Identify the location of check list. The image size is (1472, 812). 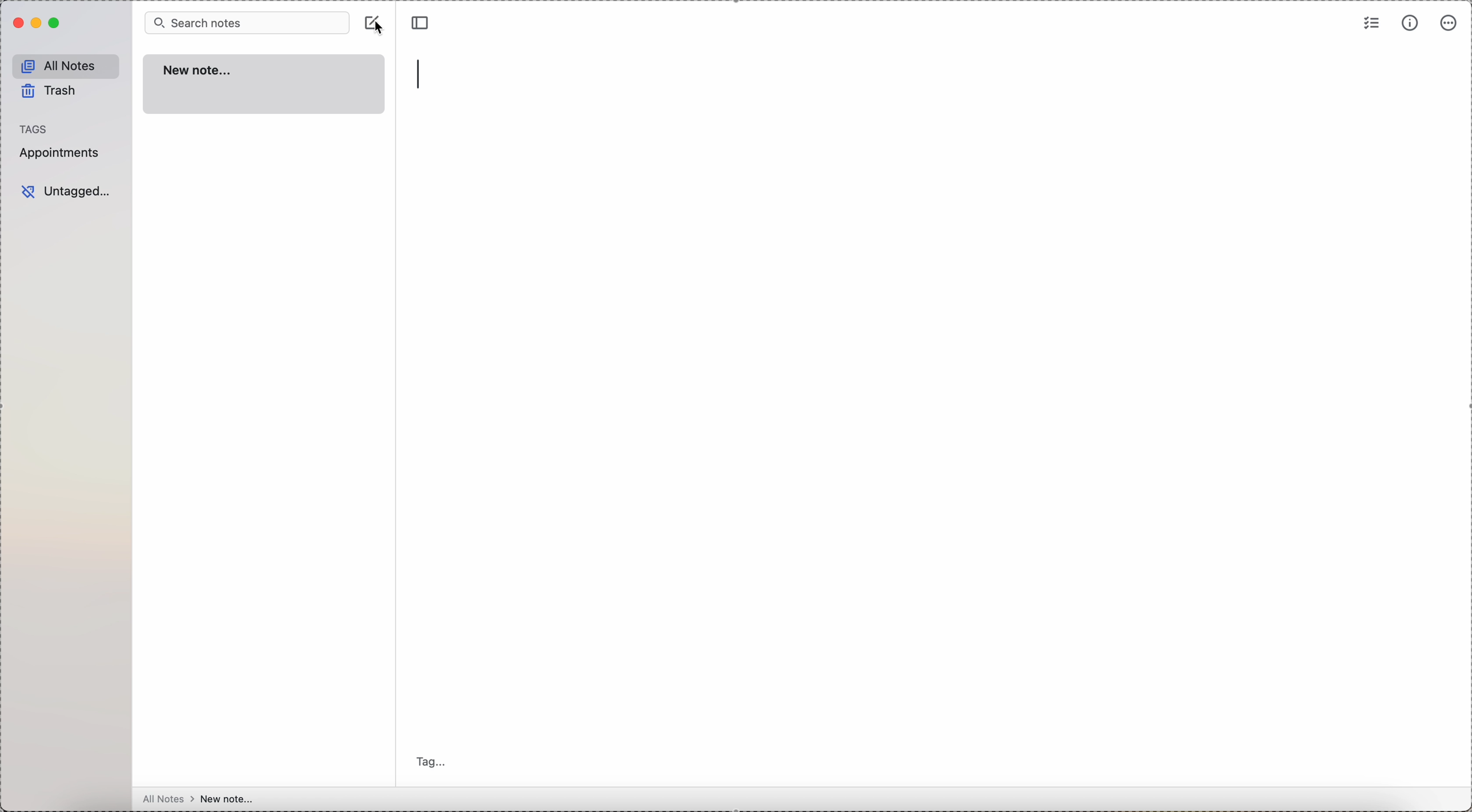
(1372, 23).